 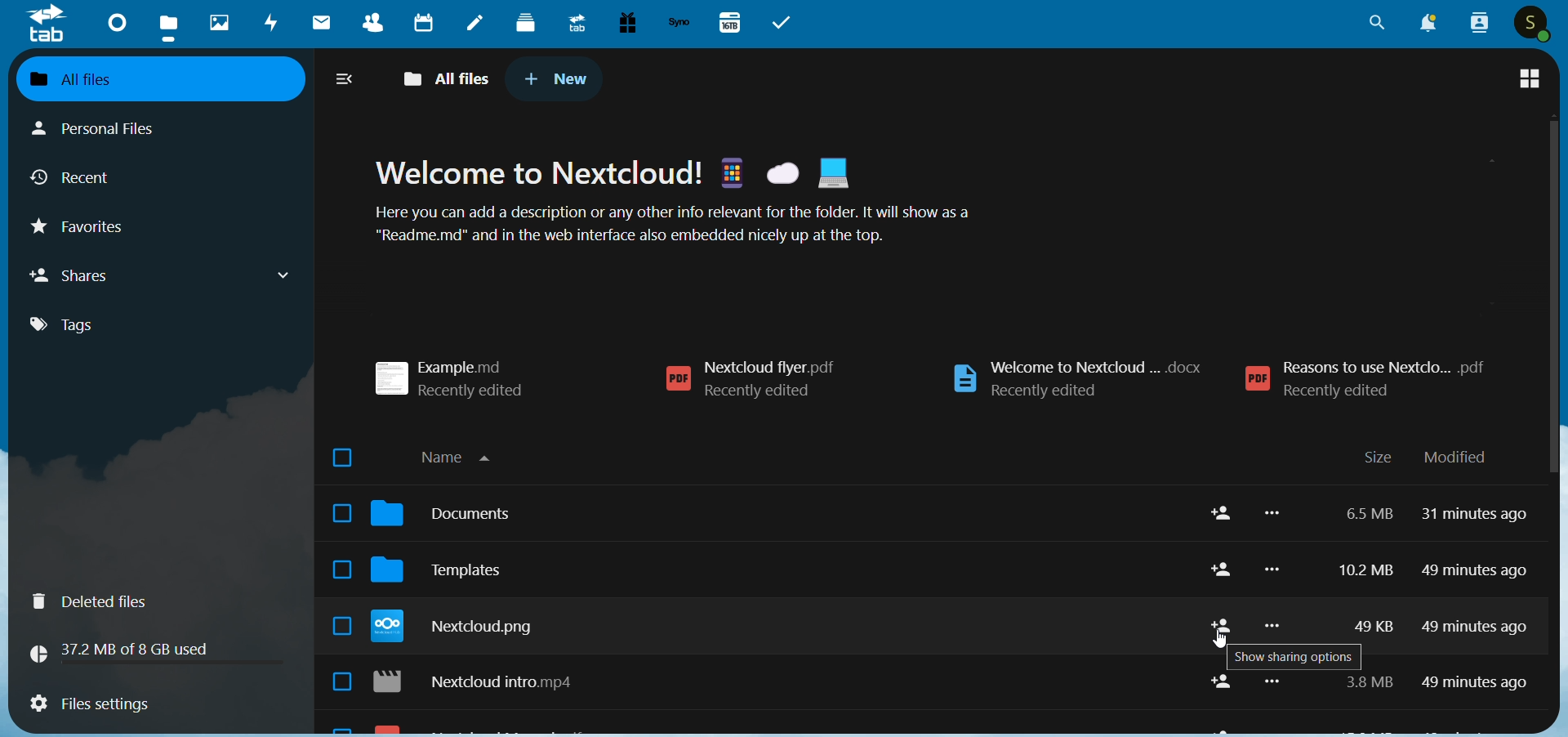 What do you see at coordinates (111, 127) in the screenshot?
I see `personal files` at bounding box center [111, 127].